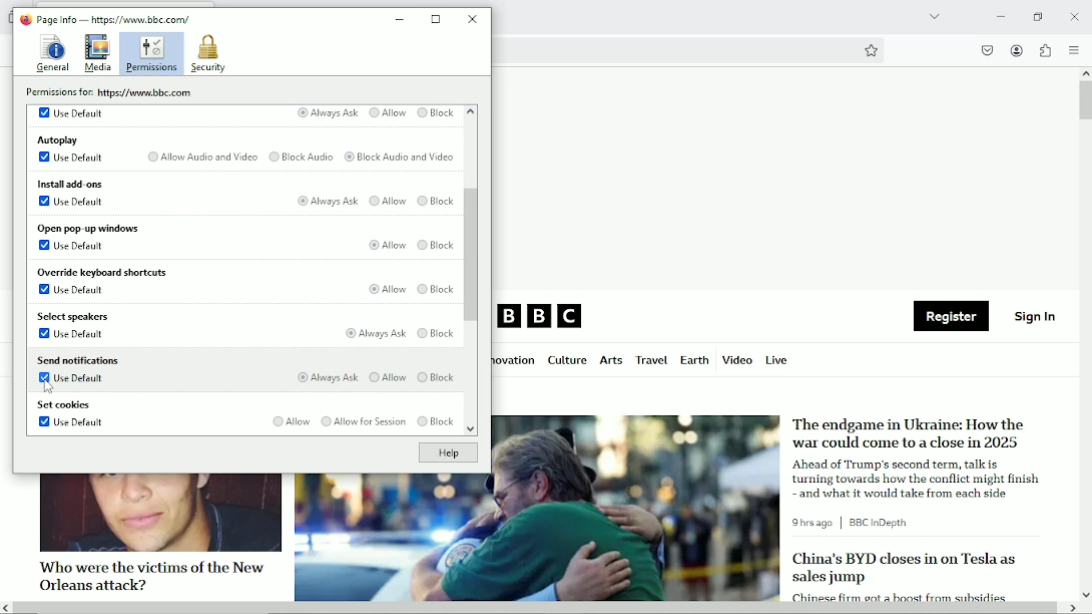 The image size is (1092, 614). What do you see at coordinates (904, 568) in the screenshot?
I see `China's BYD closes in on Tesla as sales jump` at bounding box center [904, 568].